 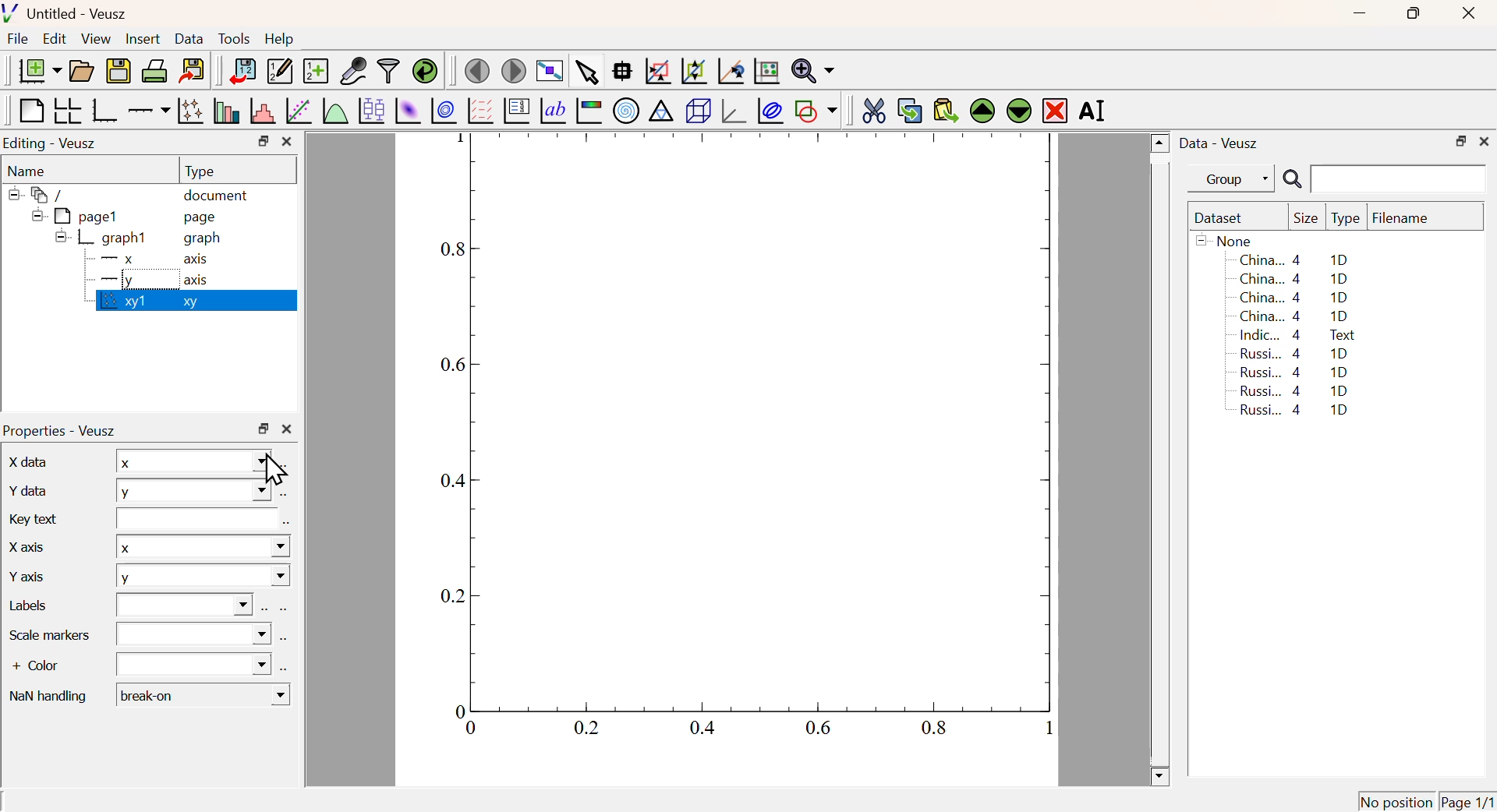 I want to click on Histogram of a dataset, so click(x=263, y=111).